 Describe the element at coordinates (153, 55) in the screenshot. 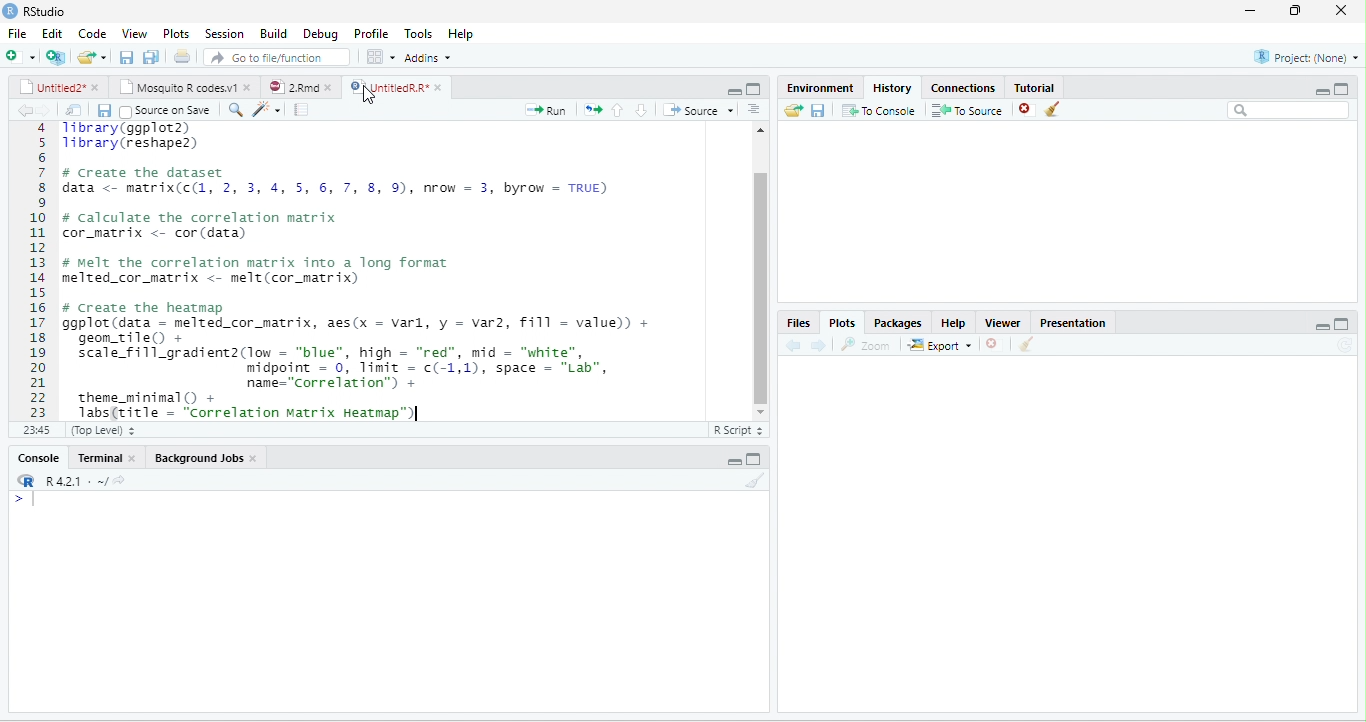

I see `` at that location.